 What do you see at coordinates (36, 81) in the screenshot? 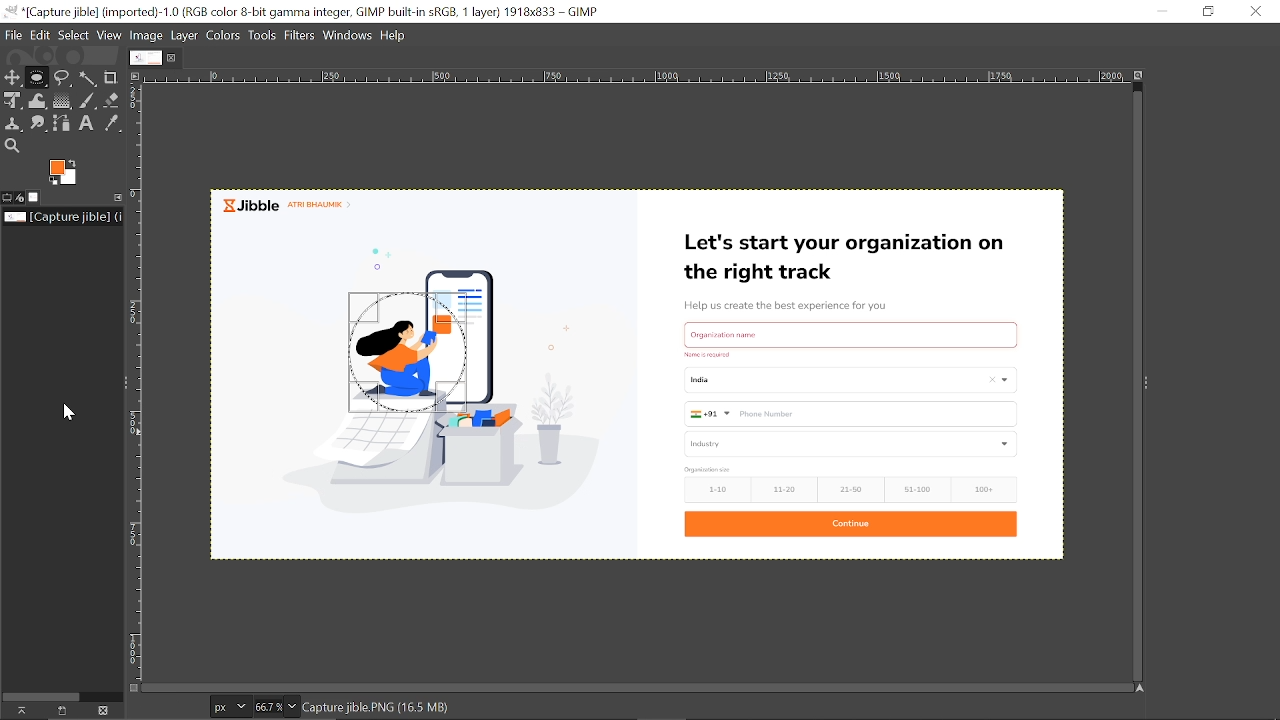
I see `Rectangular select` at bounding box center [36, 81].